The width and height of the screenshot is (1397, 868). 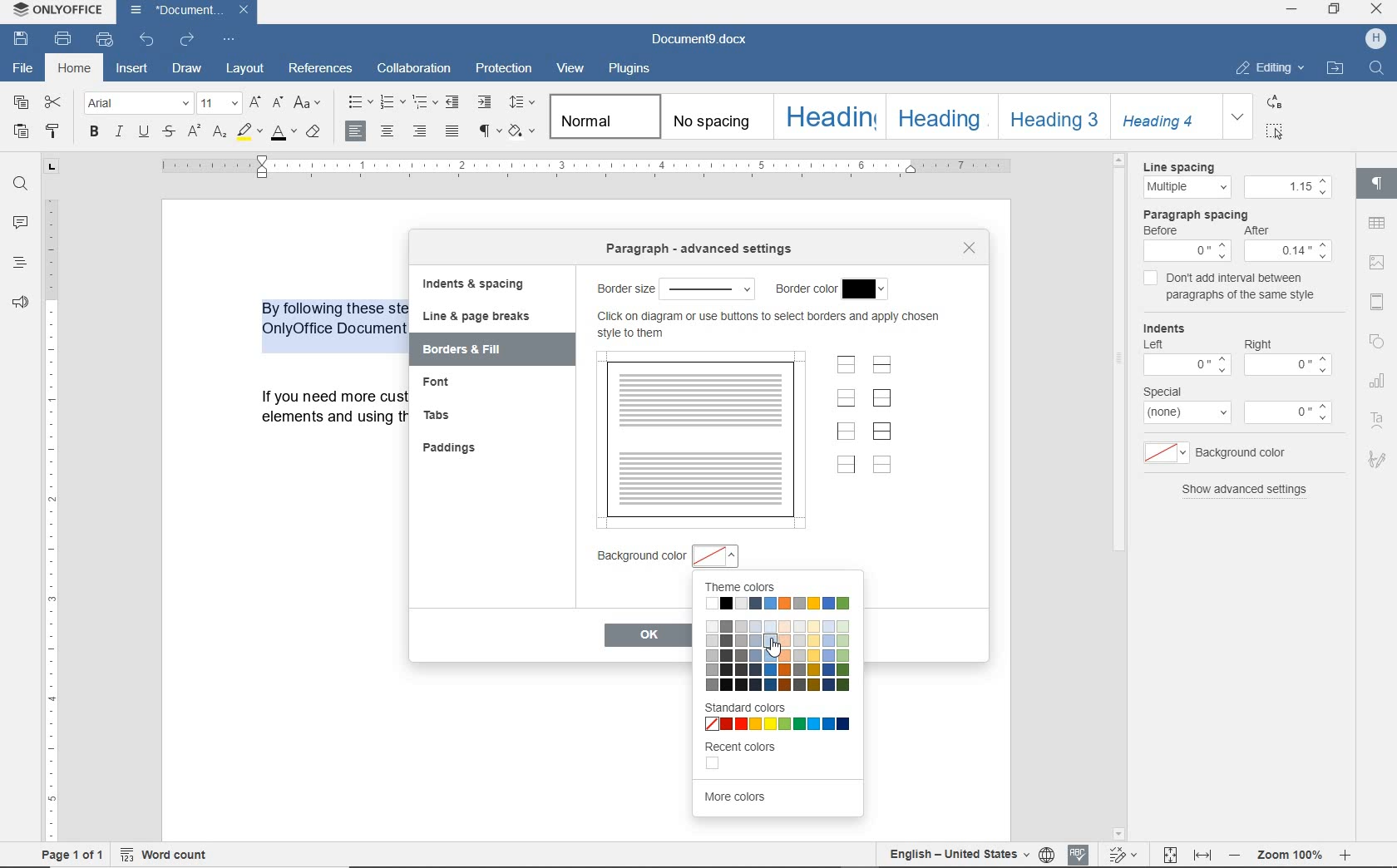 What do you see at coordinates (741, 583) in the screenshot?
I see `Theme colors` at bounding box center [741, 583].